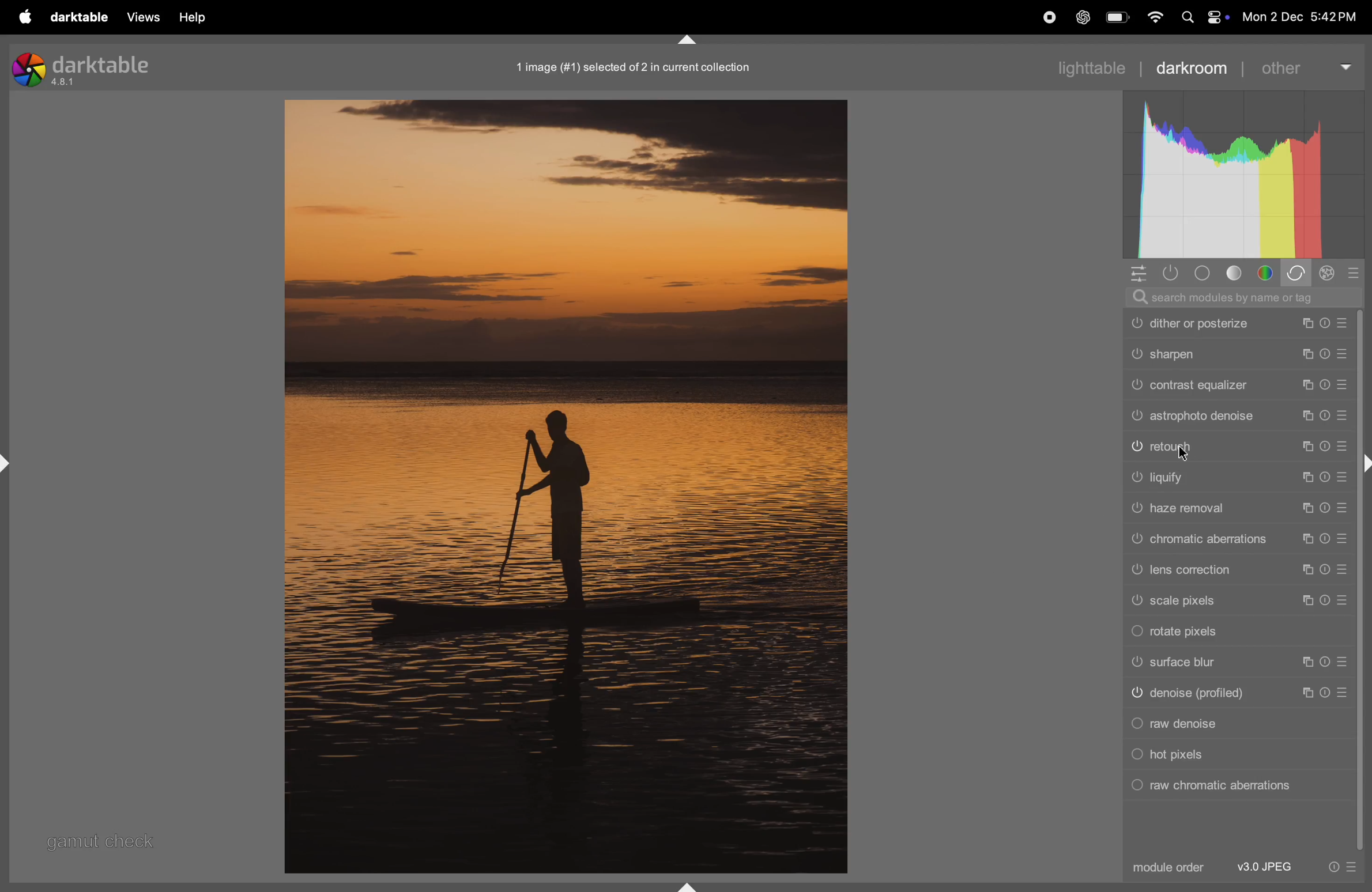  What do you see at coordinates (1234, 755) in the screenshot?
I see `hot pixels` at bounding box center [1234, 755].